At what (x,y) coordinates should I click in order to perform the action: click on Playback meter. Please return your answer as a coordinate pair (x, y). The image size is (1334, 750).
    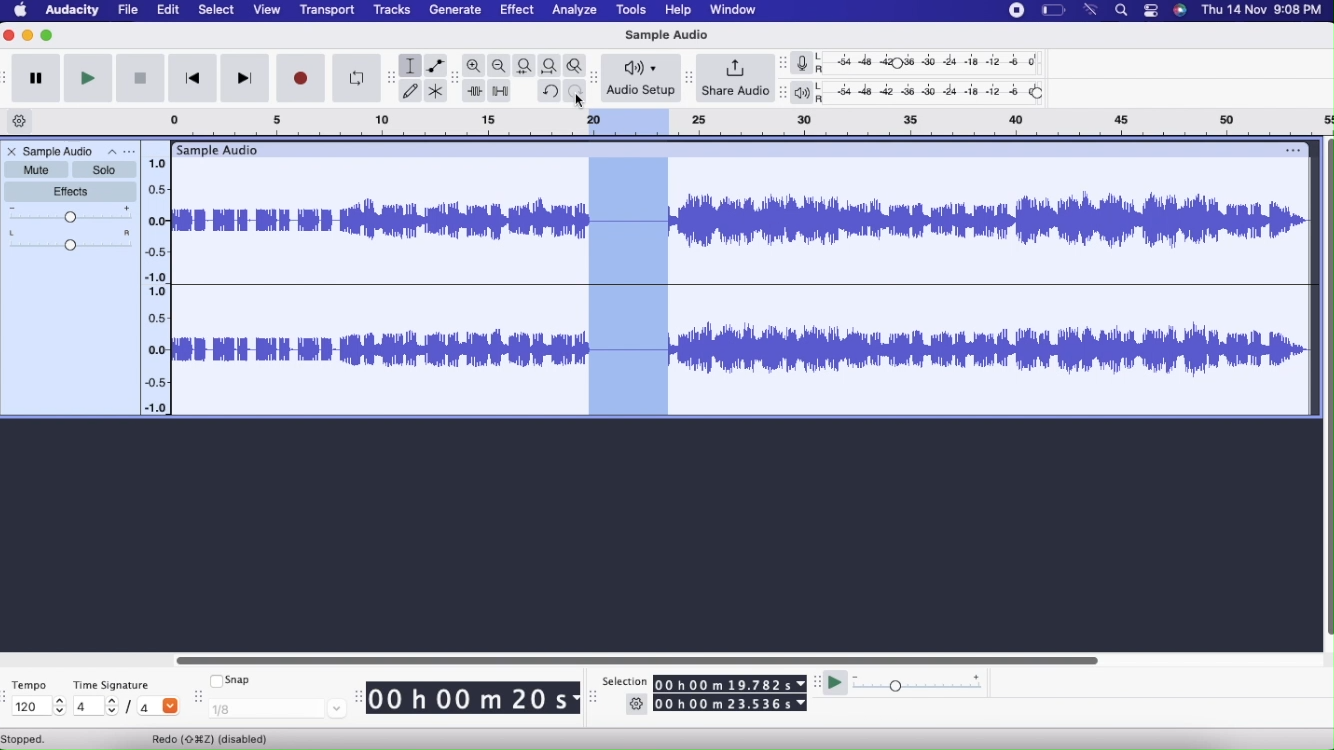
    Looking at the image, I should click on (806, 92).